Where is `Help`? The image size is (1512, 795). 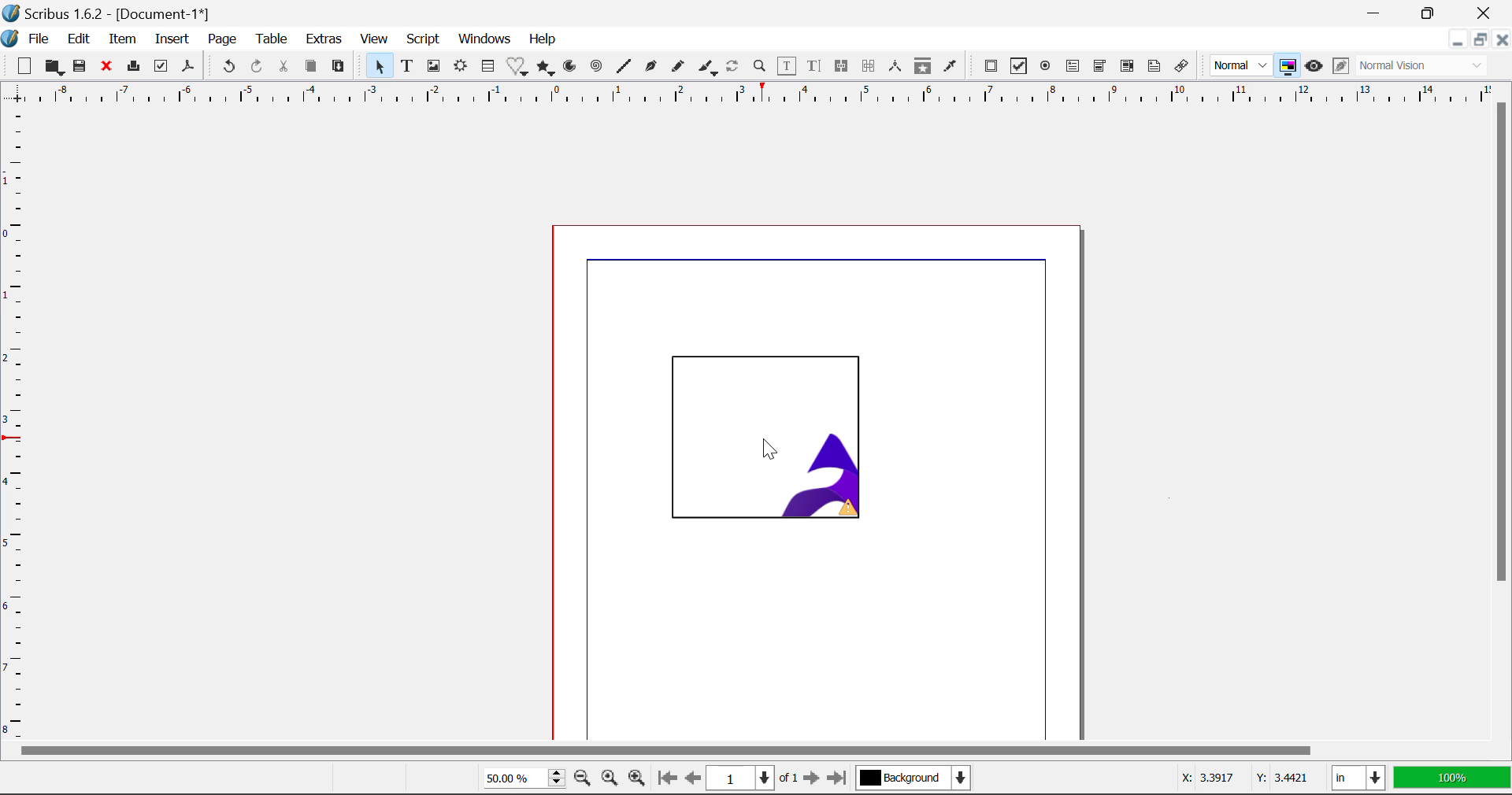 Help is located at coordinates (542, 41).